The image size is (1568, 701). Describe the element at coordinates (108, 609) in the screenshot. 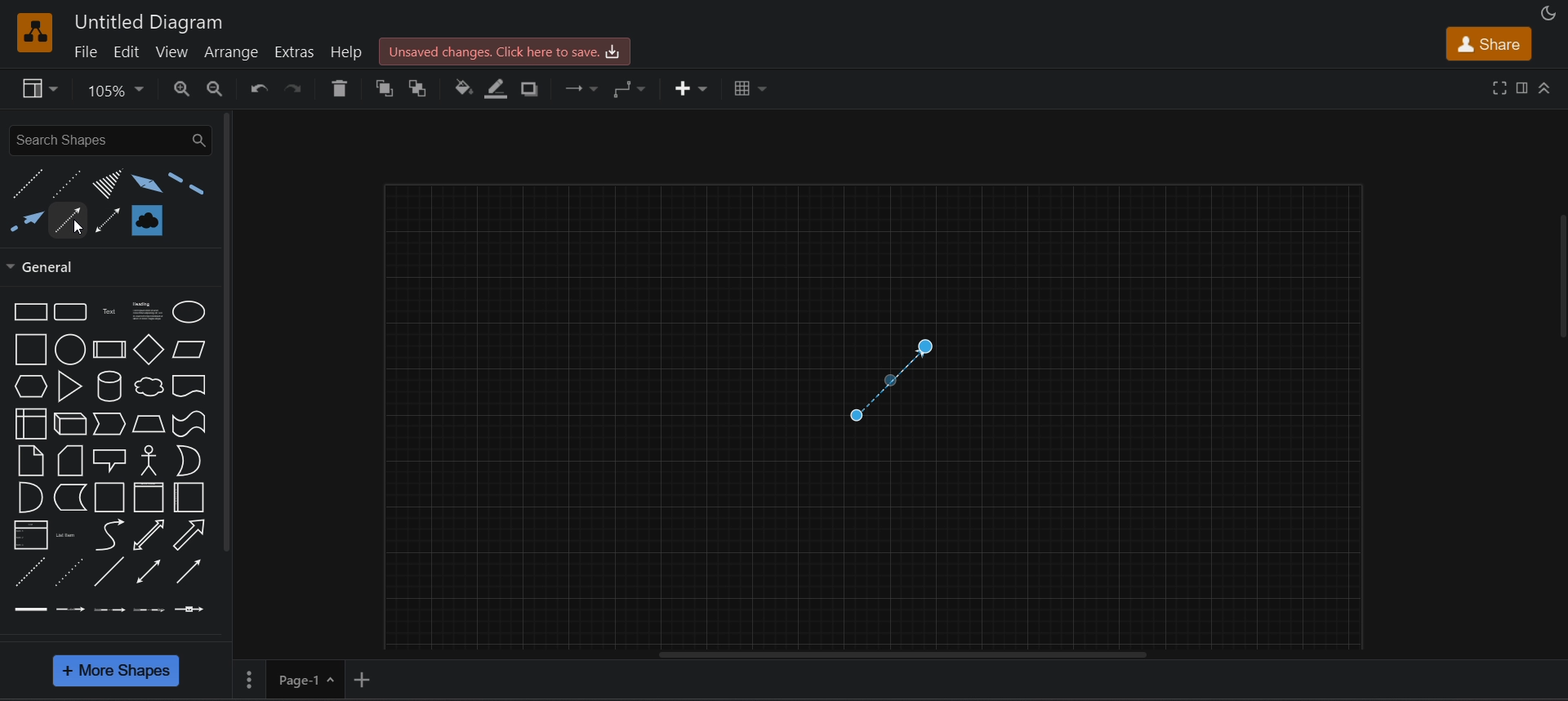

I see `connector with 2 lanes` at that location.